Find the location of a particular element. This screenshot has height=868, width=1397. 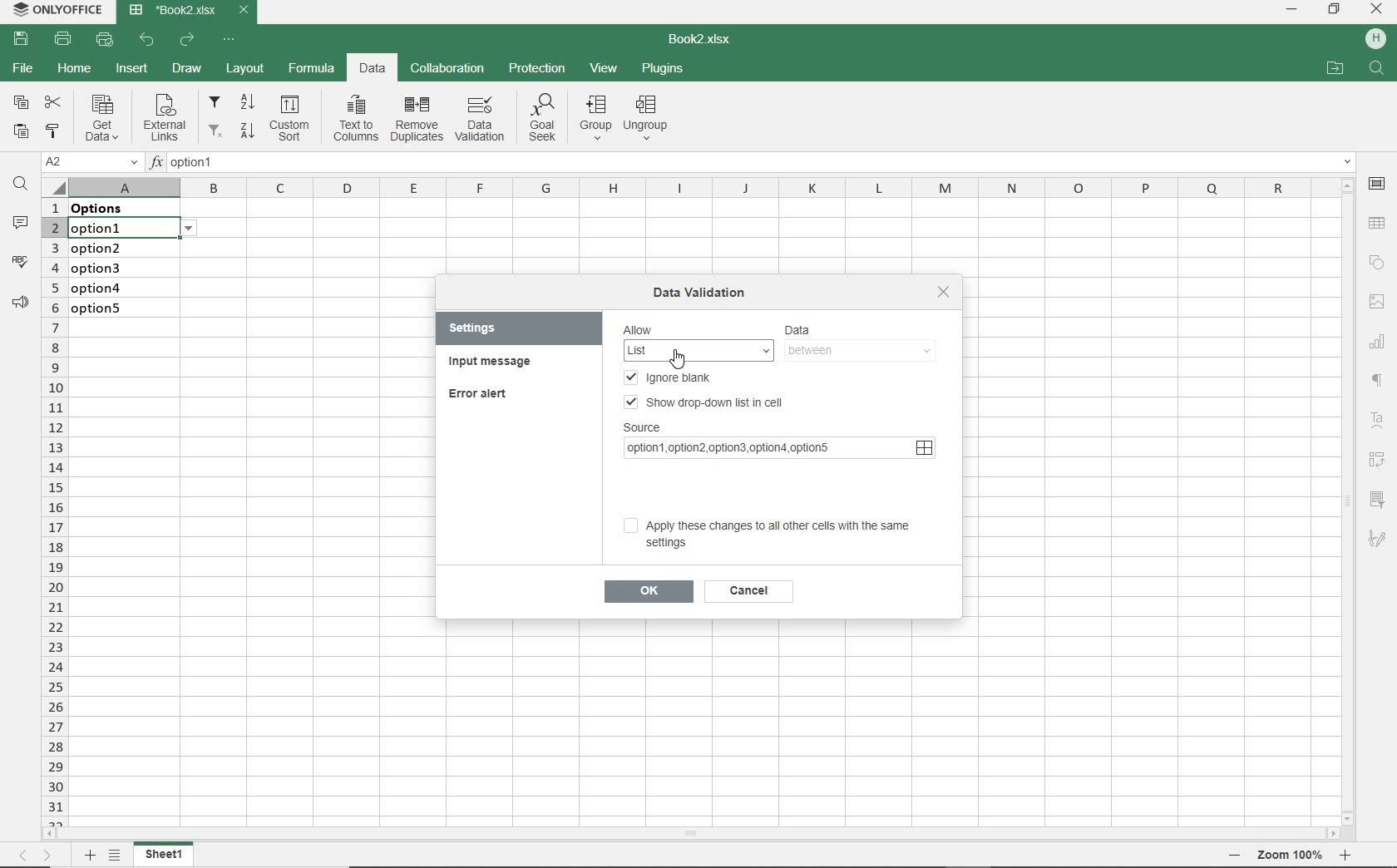

group is located at coordinates (597, 120).